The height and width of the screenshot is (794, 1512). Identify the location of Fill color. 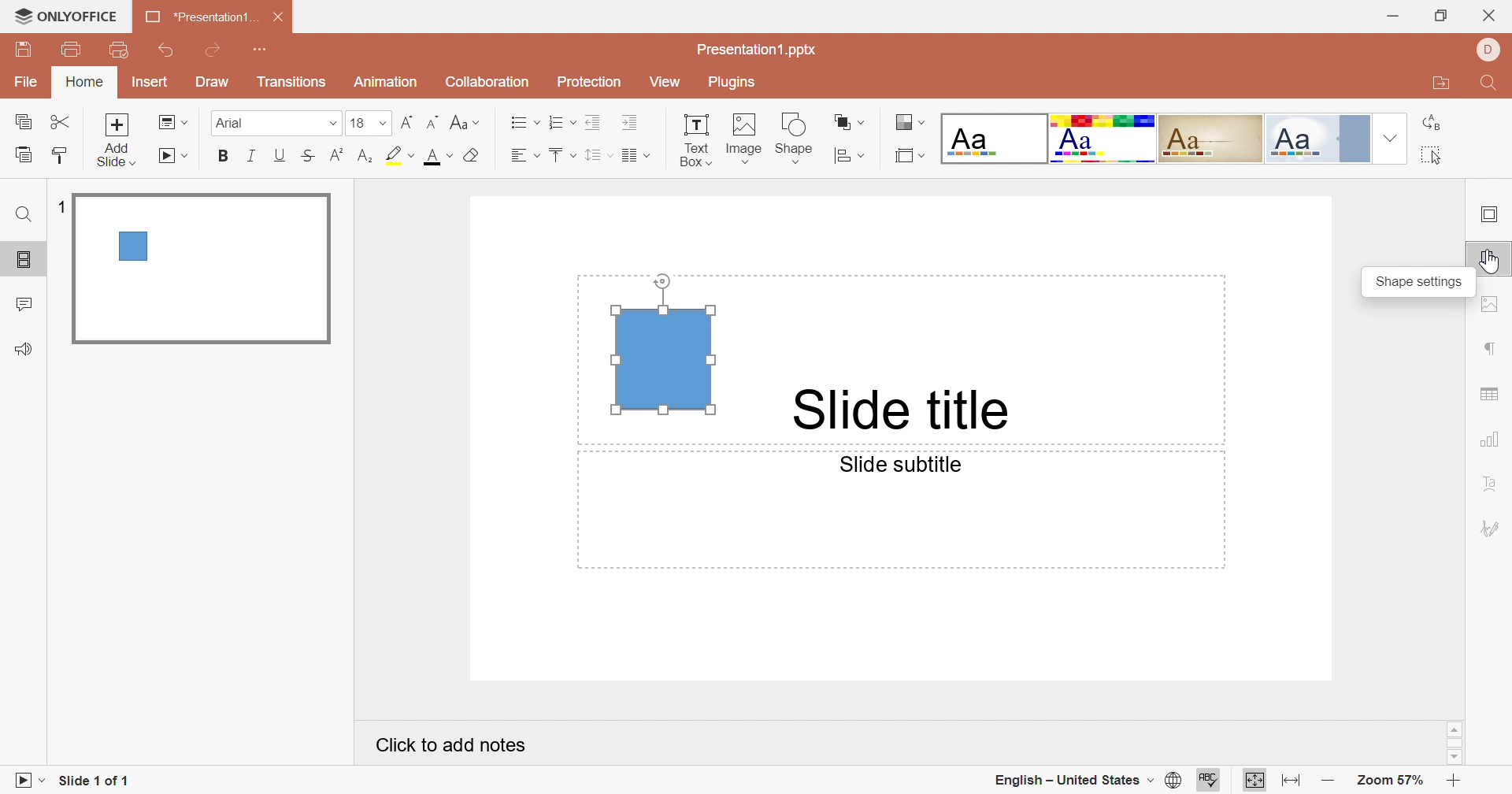
(469, 157).